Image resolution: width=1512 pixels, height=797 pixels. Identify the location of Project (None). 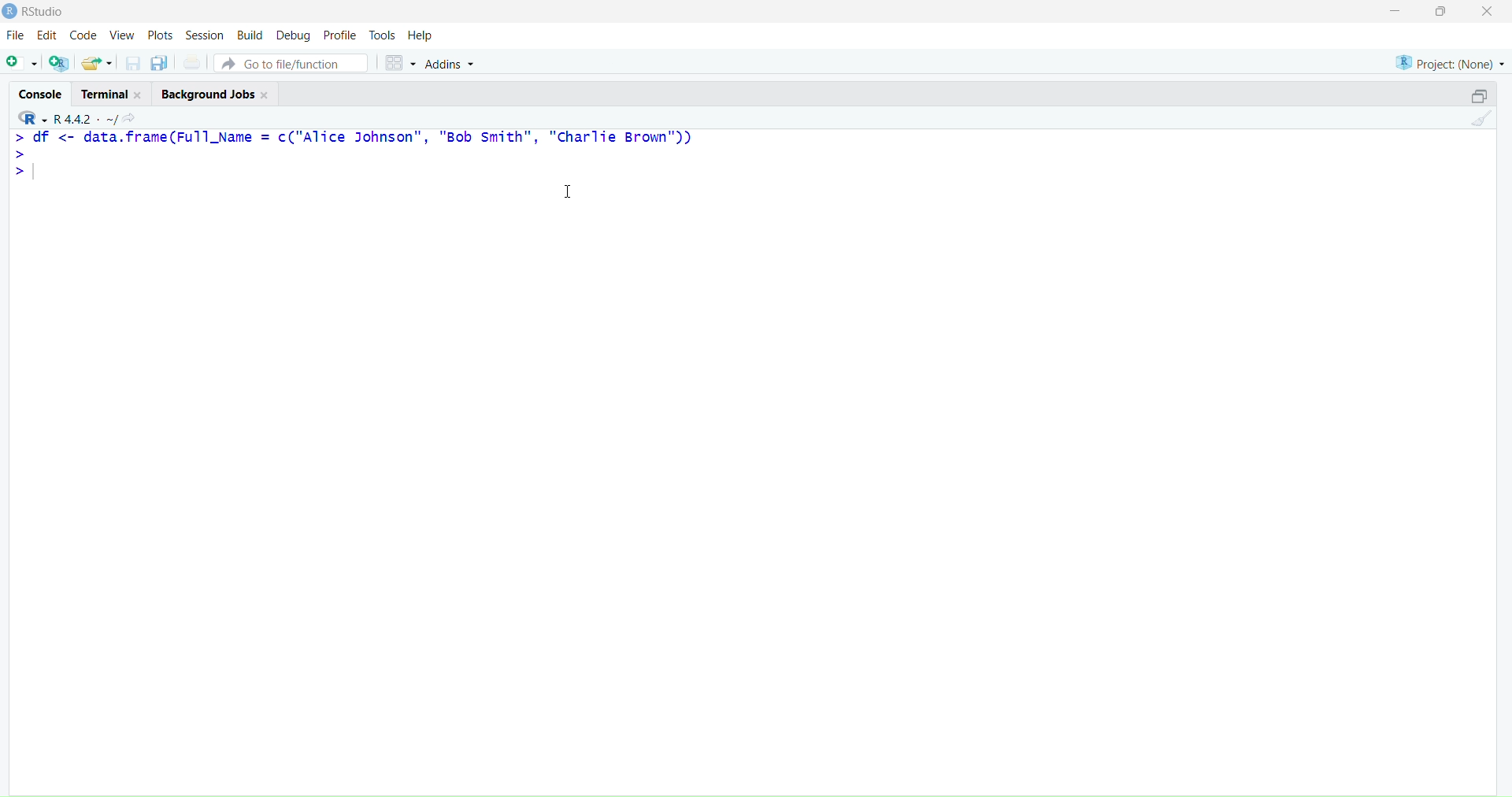
(1449, 57).